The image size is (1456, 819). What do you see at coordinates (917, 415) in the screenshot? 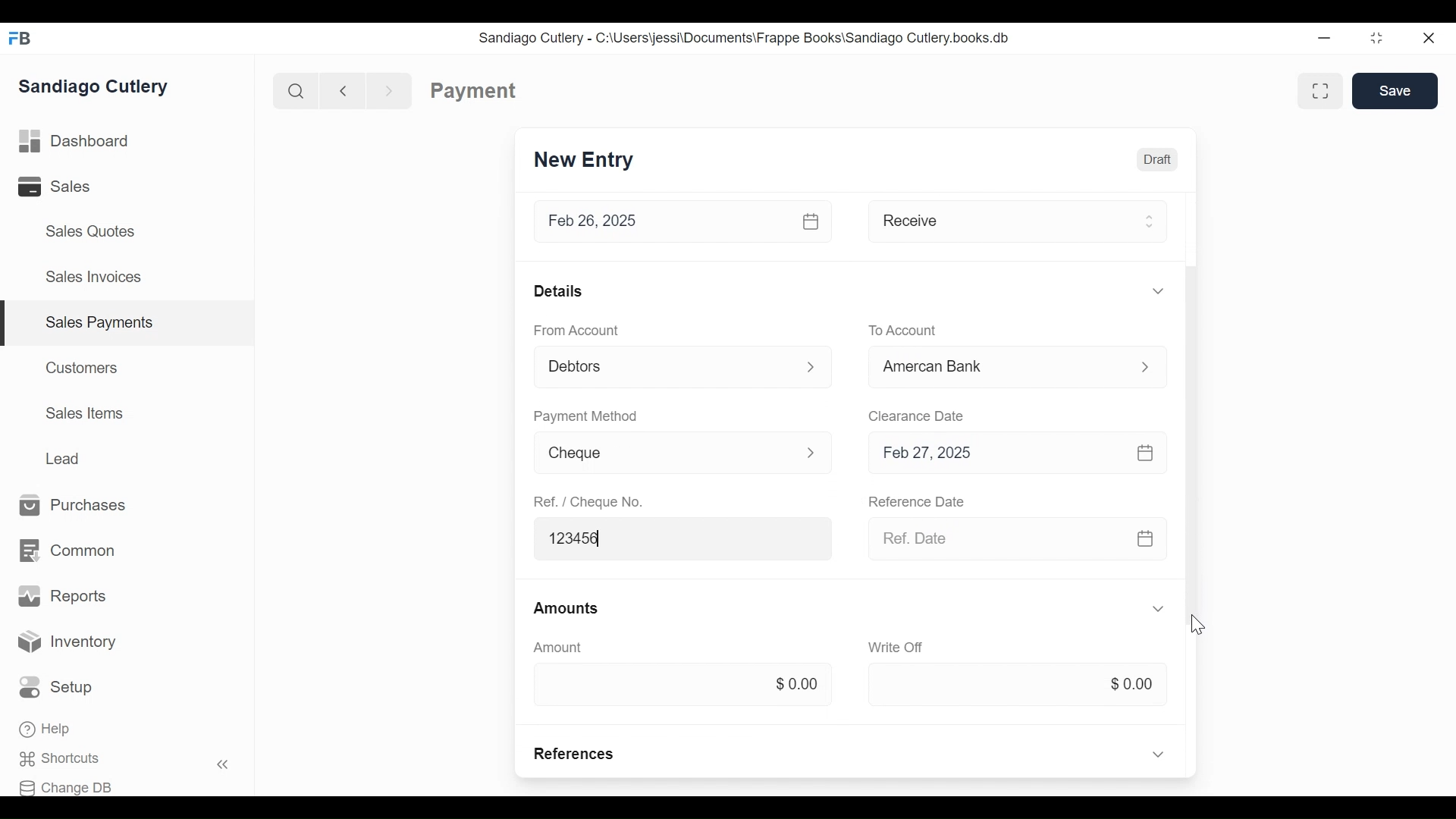
I see `Clearance Date` at bounding box center [917, 415].